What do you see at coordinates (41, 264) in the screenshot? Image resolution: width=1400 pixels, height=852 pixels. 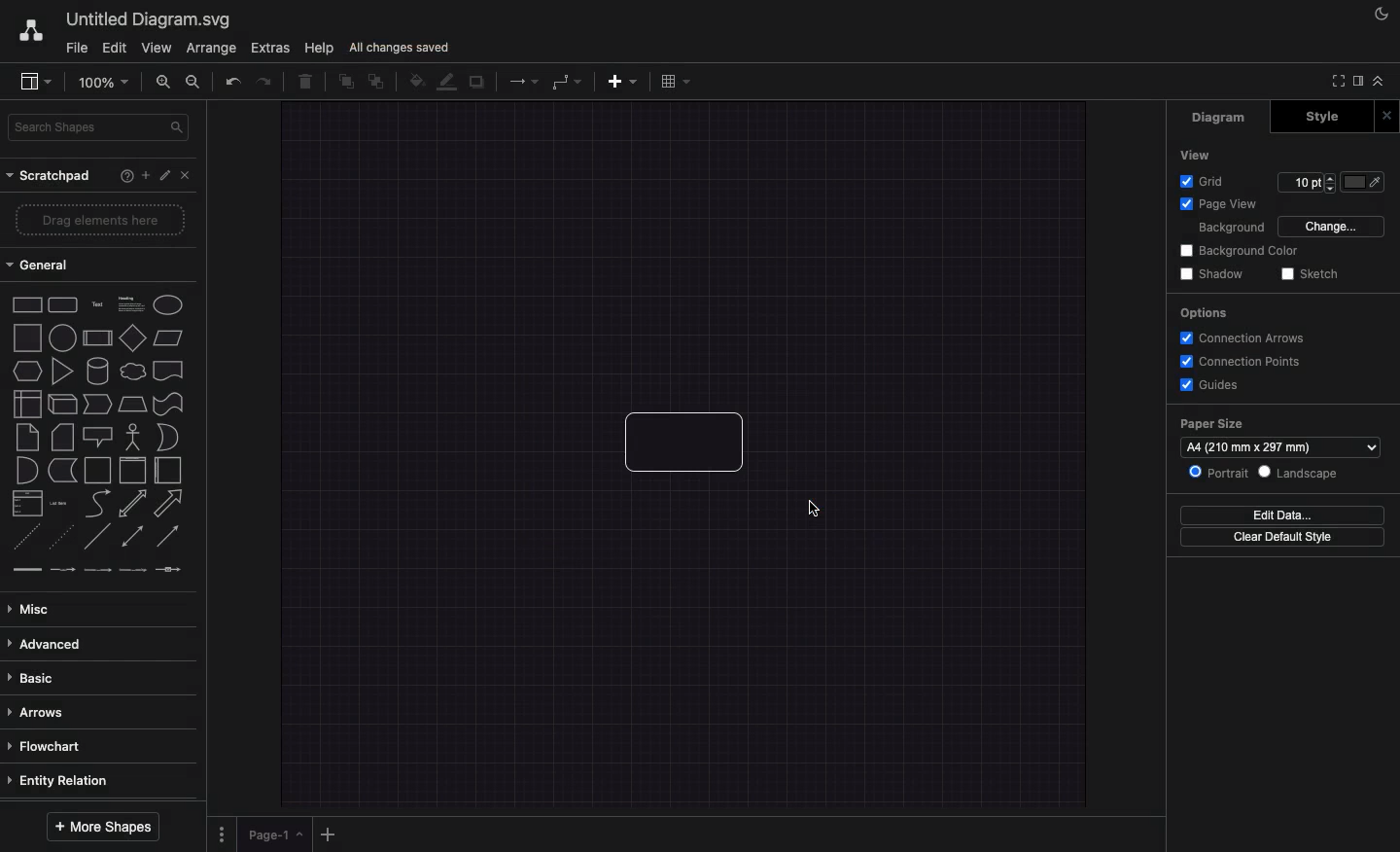 I see `General` at bounding box center [41, 264].